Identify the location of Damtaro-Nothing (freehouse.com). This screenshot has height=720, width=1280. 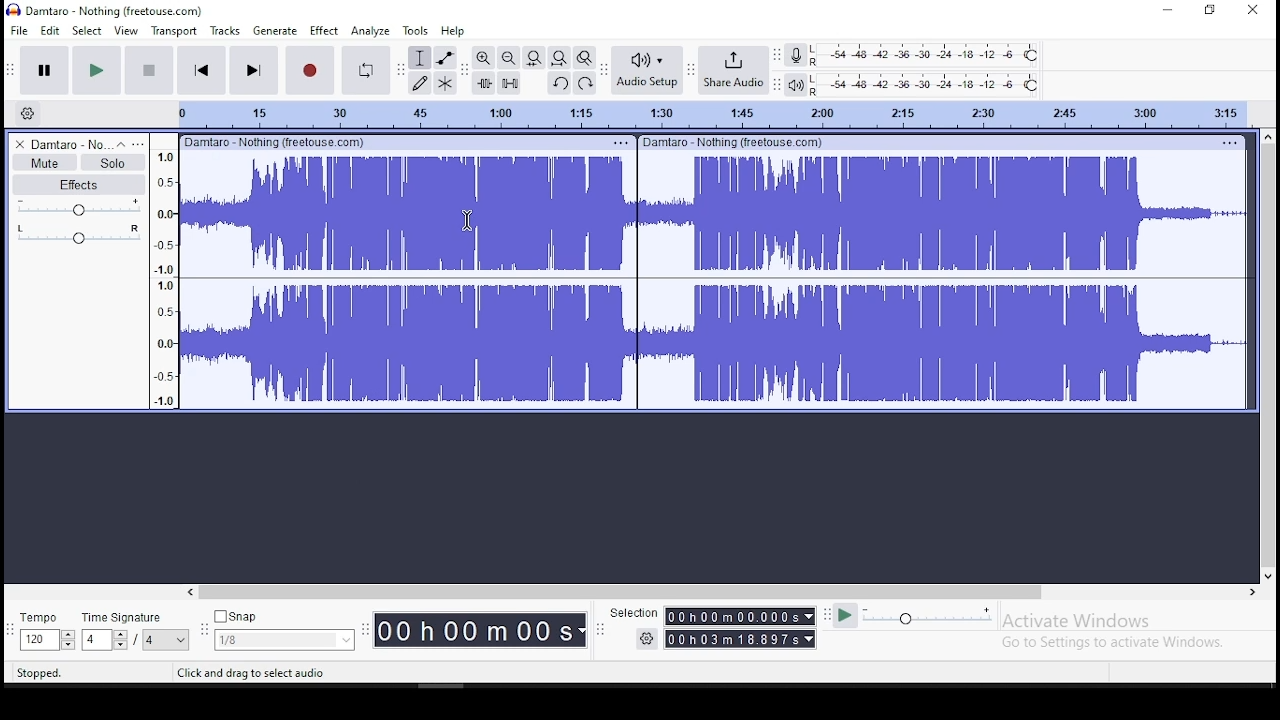
(734, 142).